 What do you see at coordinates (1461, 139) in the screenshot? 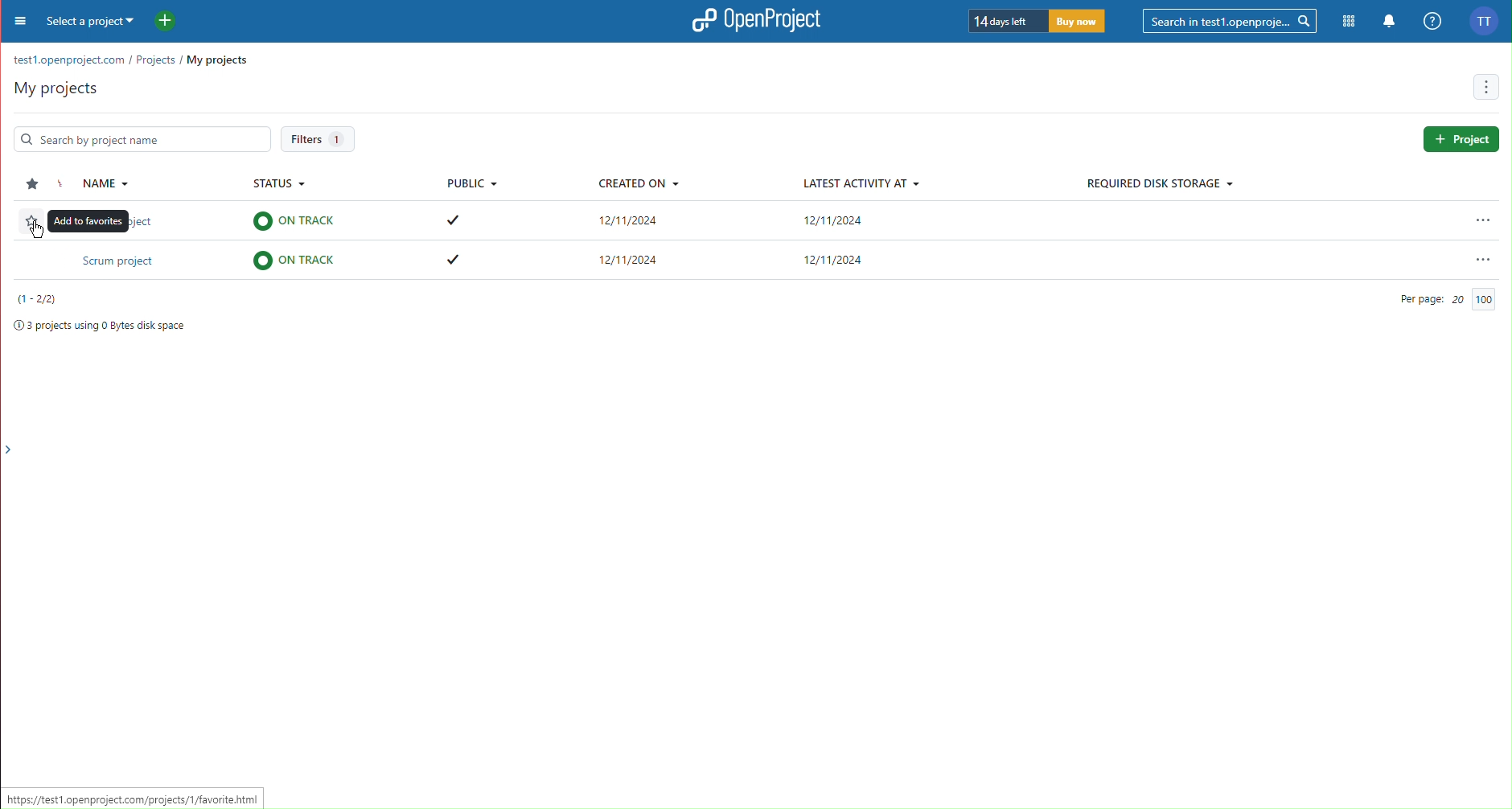
I see `Project` at bounding box center [1461, 139].